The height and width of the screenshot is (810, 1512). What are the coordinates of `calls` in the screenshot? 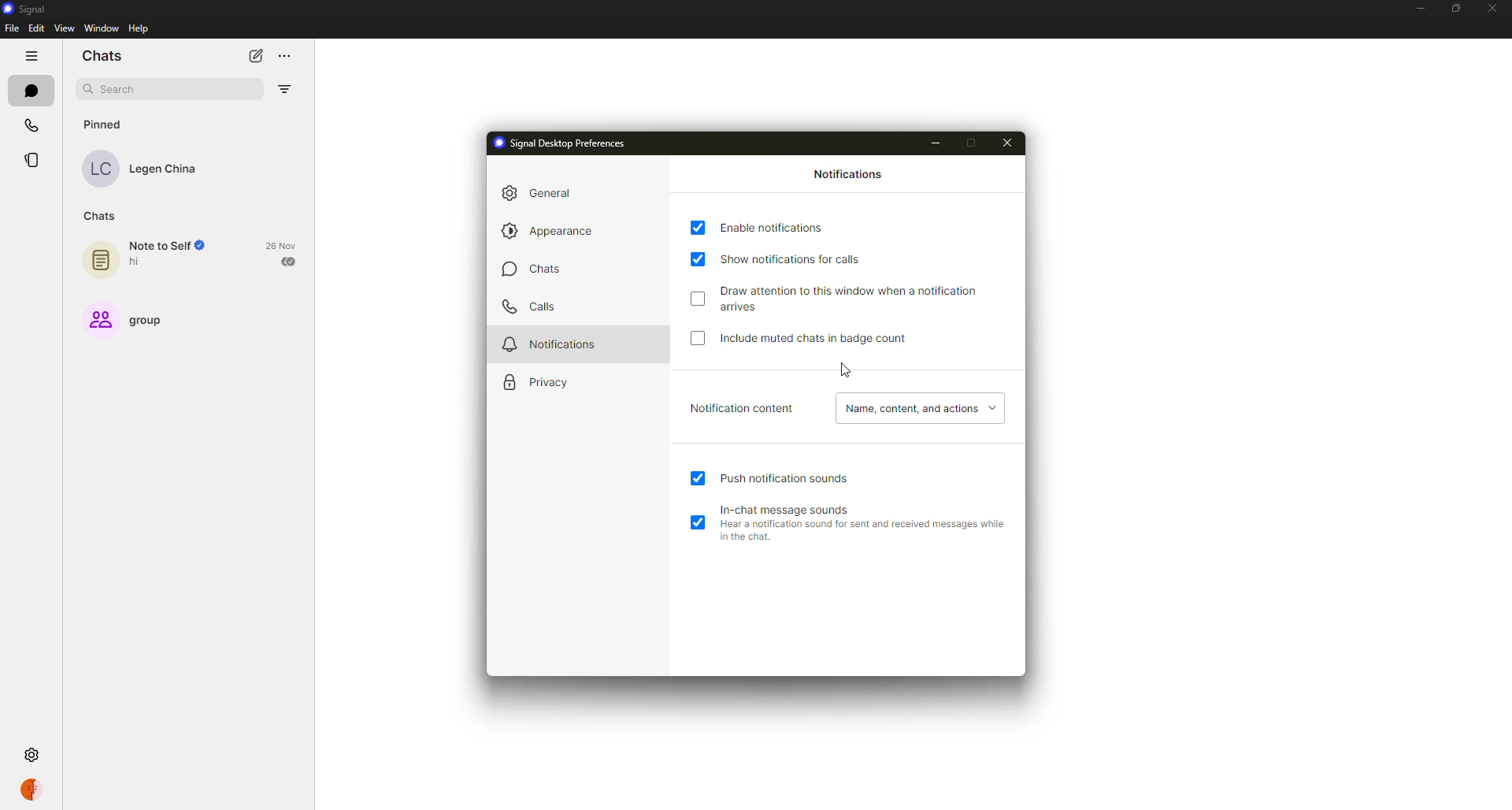 It's located at (31, 124).